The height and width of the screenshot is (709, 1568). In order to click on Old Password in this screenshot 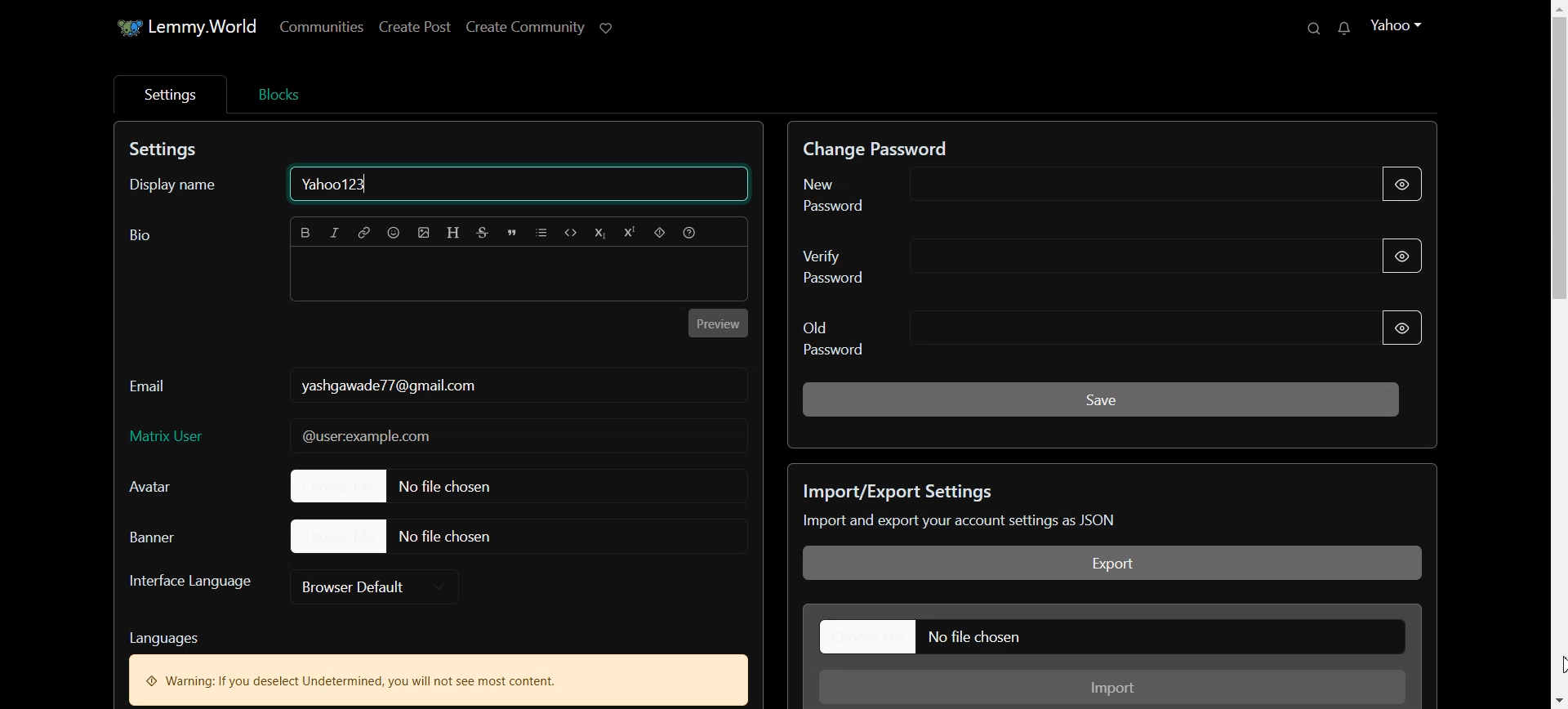, I will do `click(1056, 336)`.